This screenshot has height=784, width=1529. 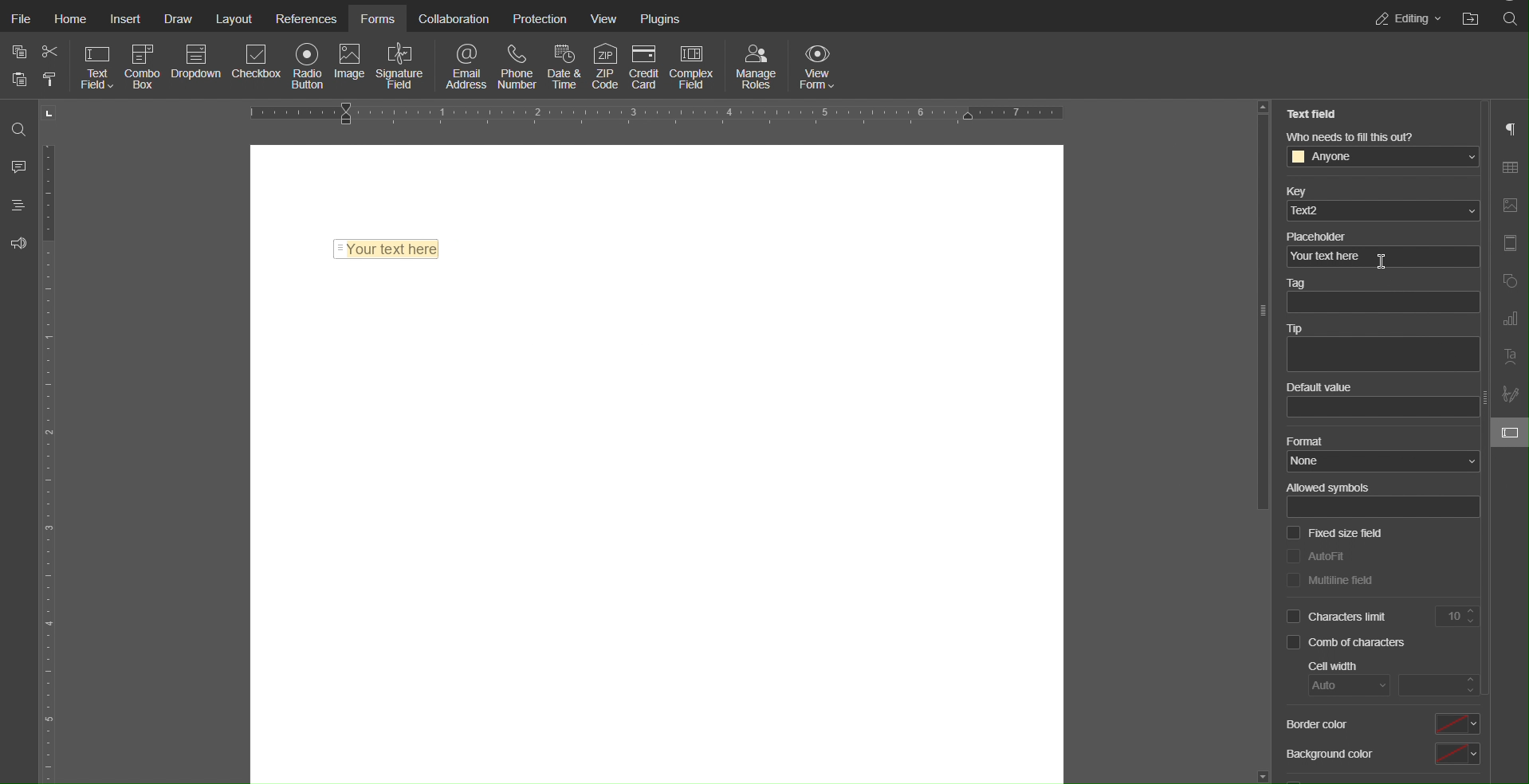 I want to click on Who needs to fill this out?, so click(x=1378, y=151).